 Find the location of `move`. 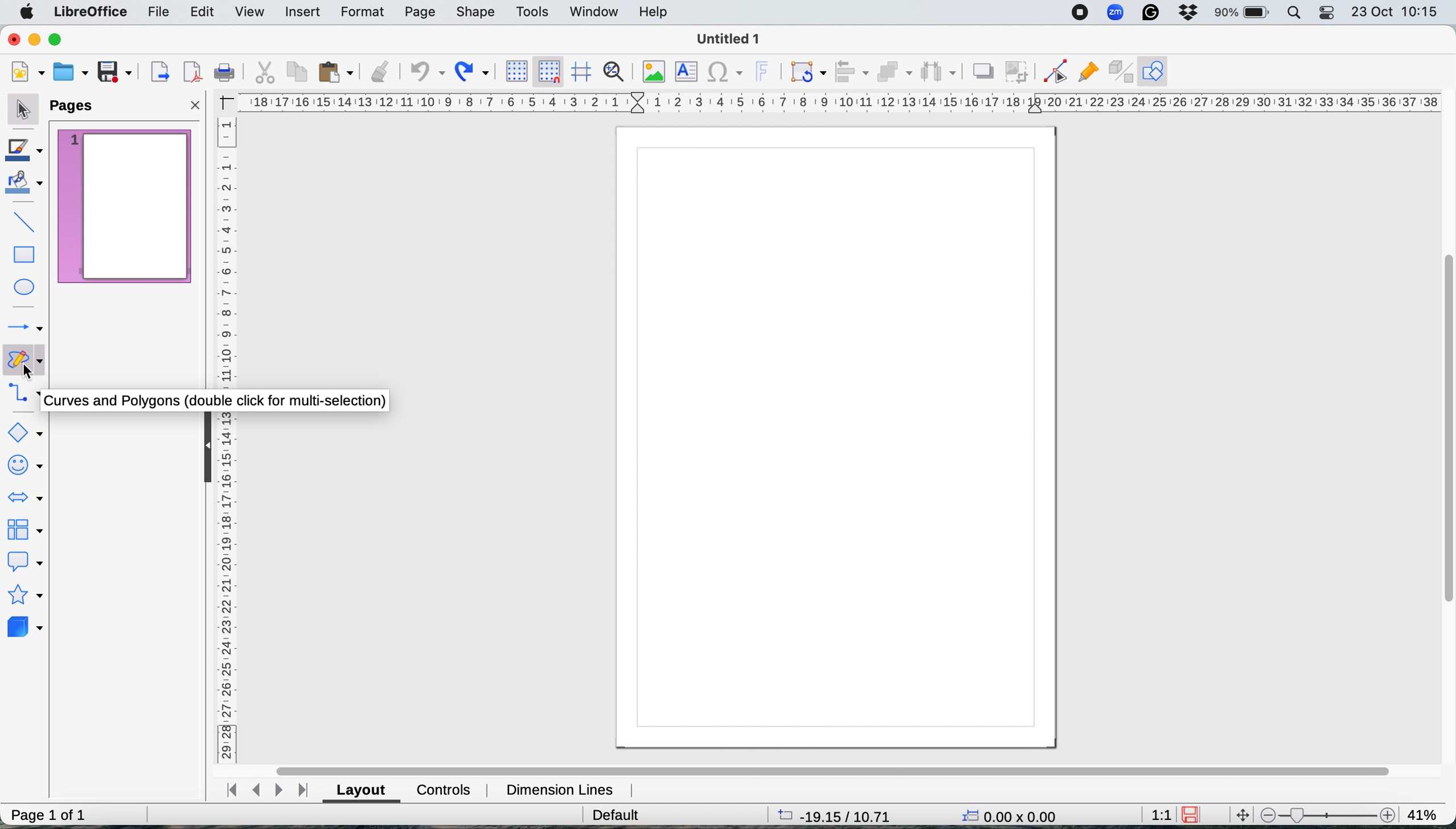

move is located at coordinates (1244, 815).